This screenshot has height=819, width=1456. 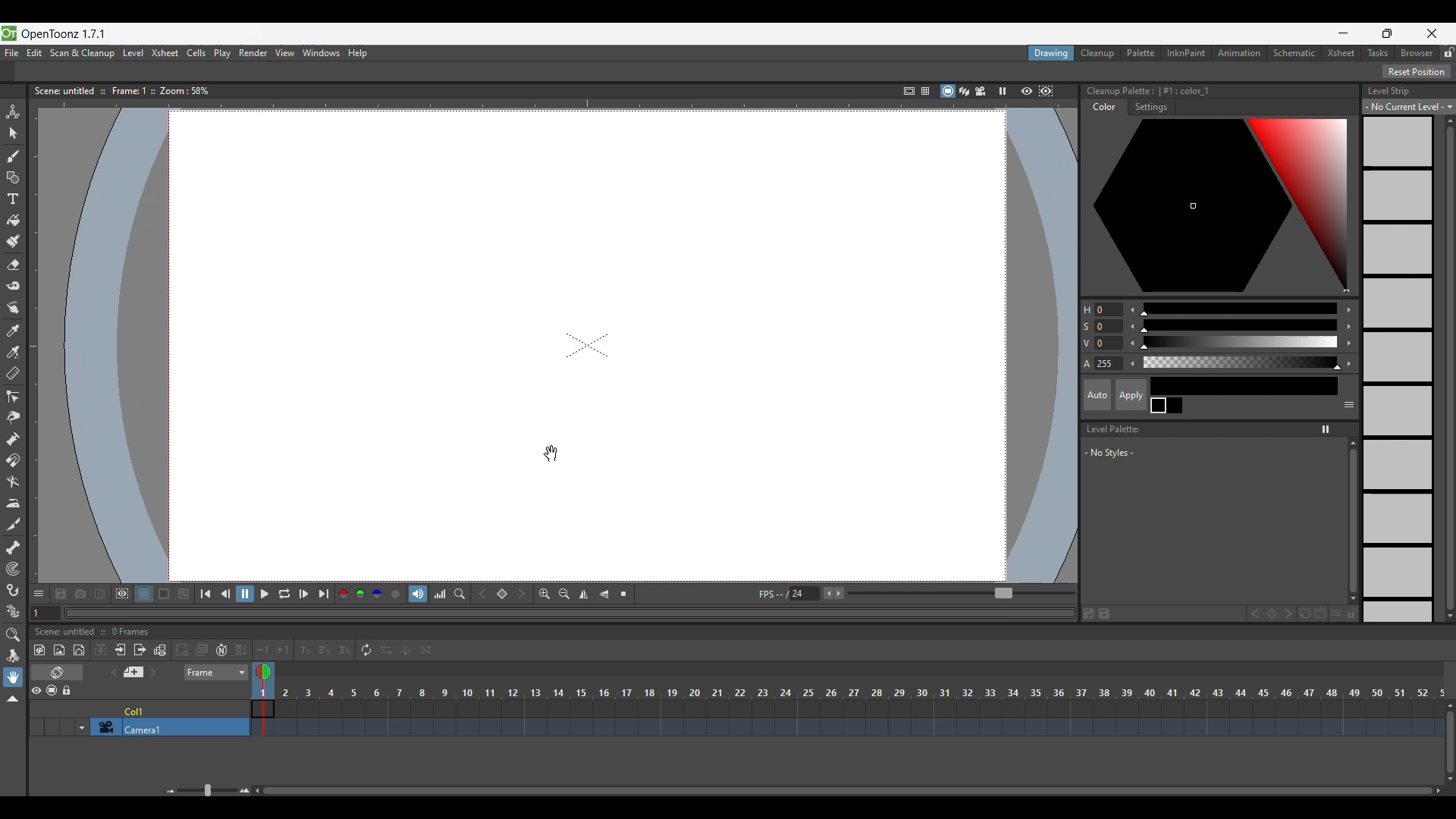 What do you see at coordinates (1051, 53) in the screenshot?
I see `Drawing` at bounding box center [1051, 53].